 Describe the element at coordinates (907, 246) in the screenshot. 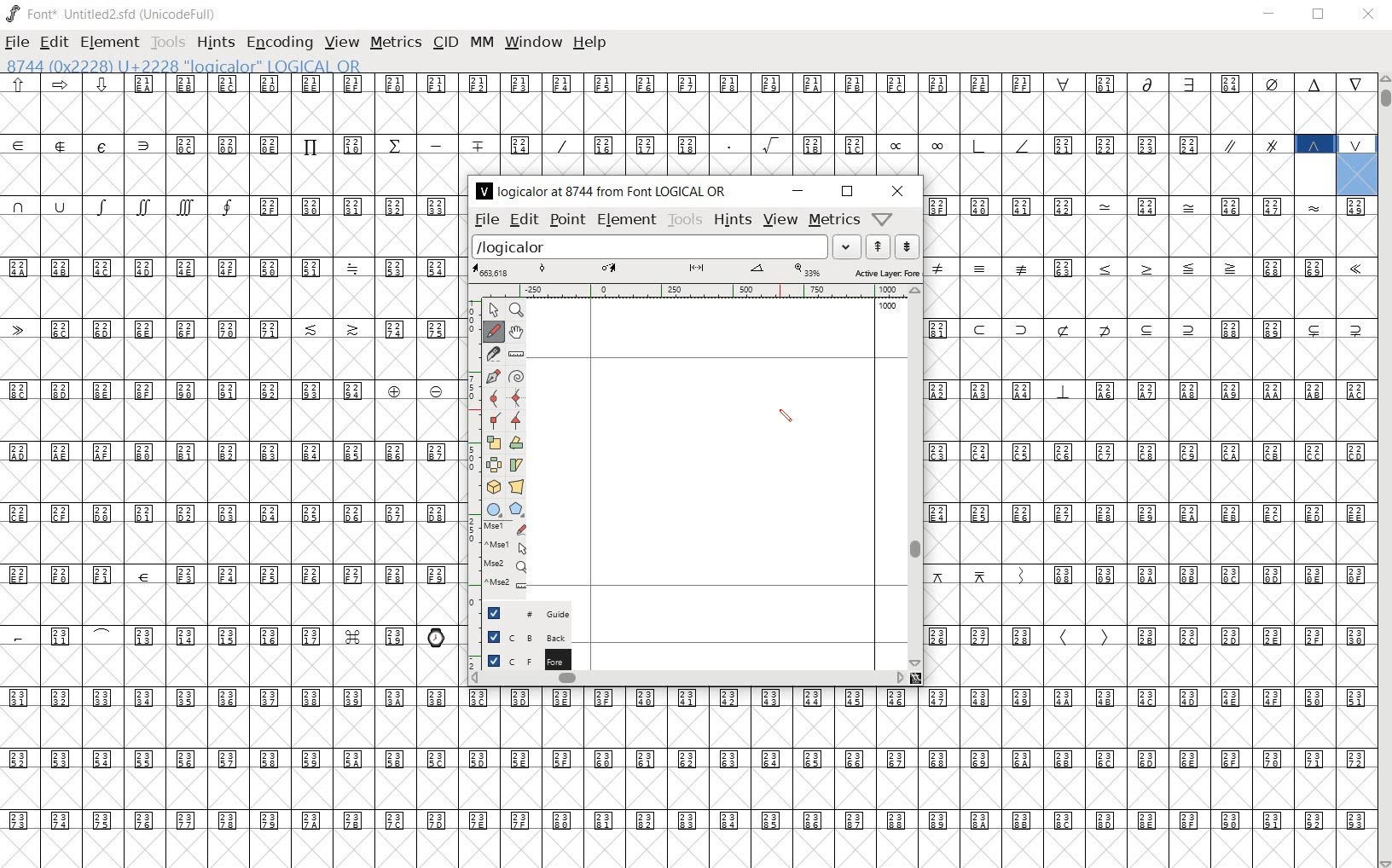

I see `show the previous word on the list` at that location.